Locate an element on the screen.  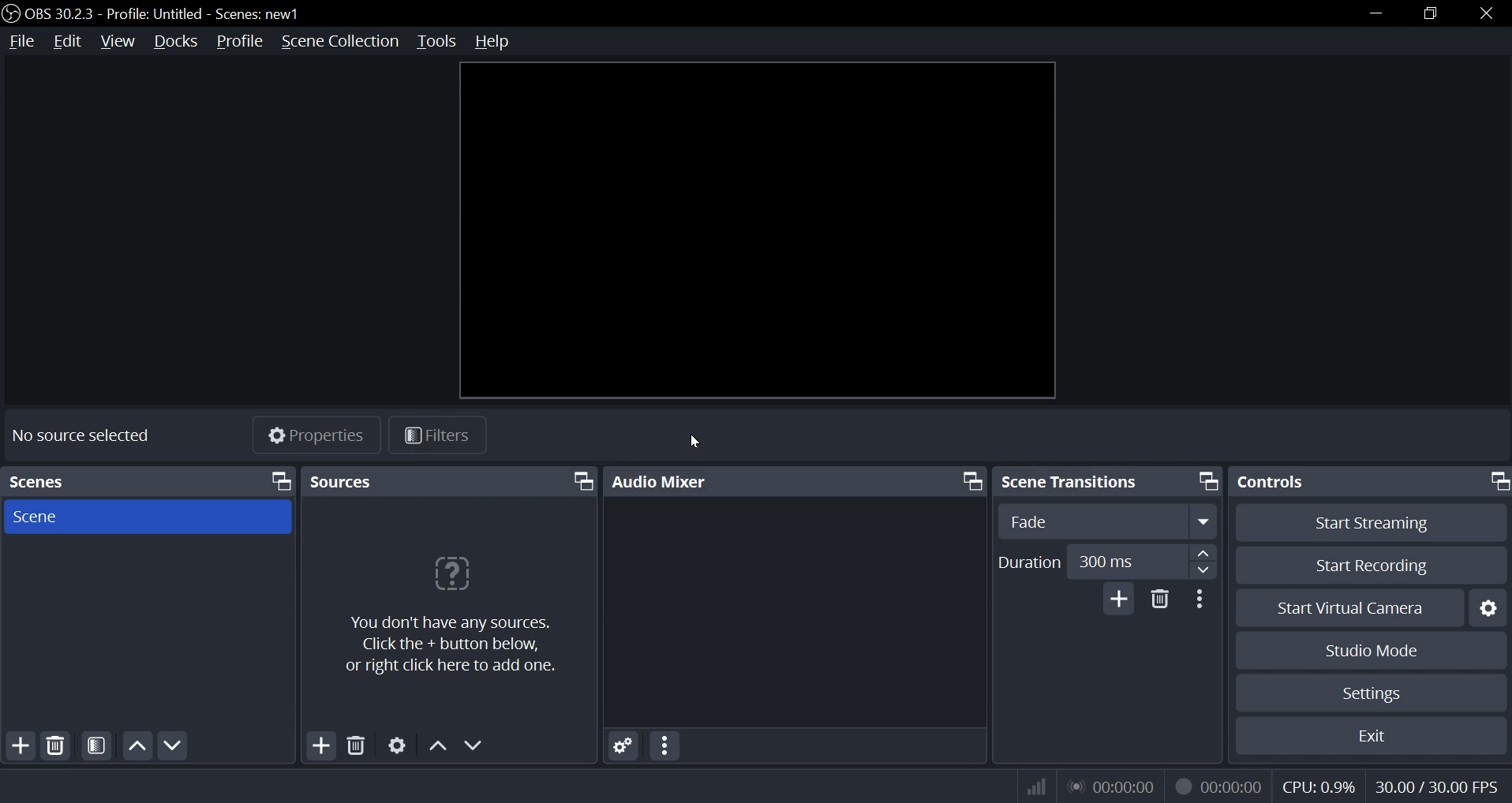
close is located at coordinates (1484, 13).